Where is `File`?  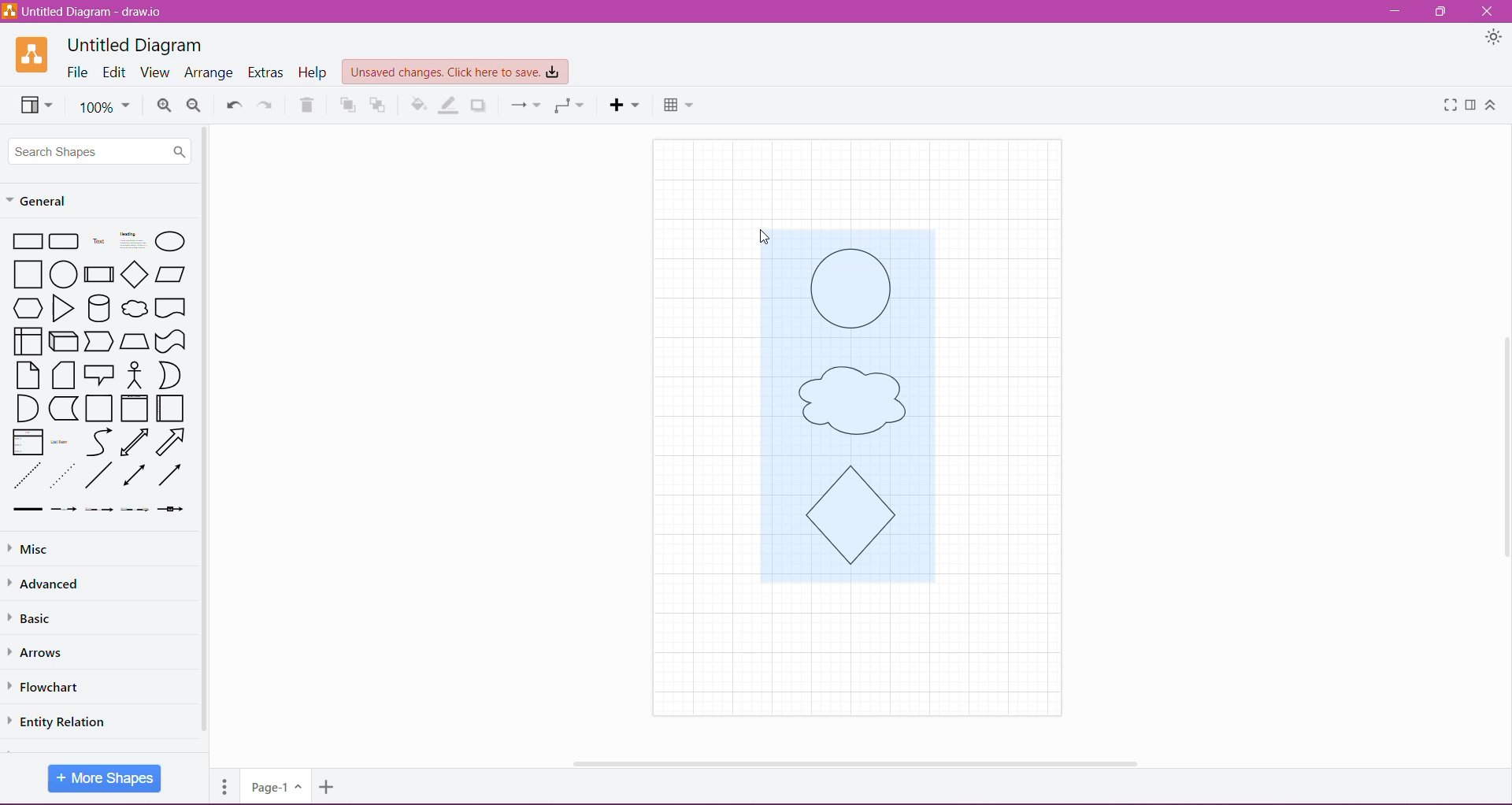
File is located at coordinates (78, 72).